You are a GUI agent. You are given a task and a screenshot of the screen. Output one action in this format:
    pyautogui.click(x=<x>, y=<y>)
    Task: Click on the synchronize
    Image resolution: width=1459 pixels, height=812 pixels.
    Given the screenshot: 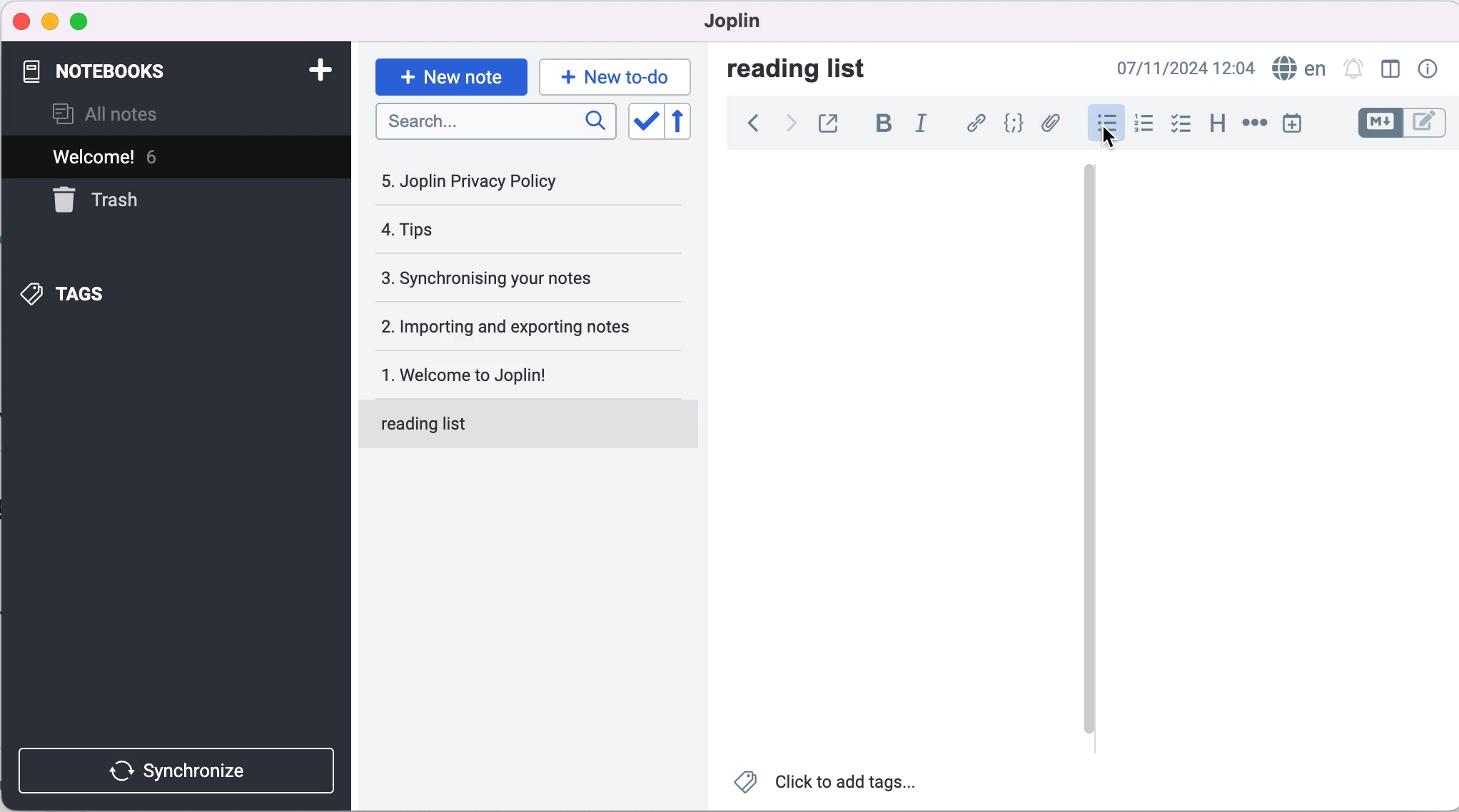 What is the action you would take?
    pyautogui.click(x=175, y=763)
    